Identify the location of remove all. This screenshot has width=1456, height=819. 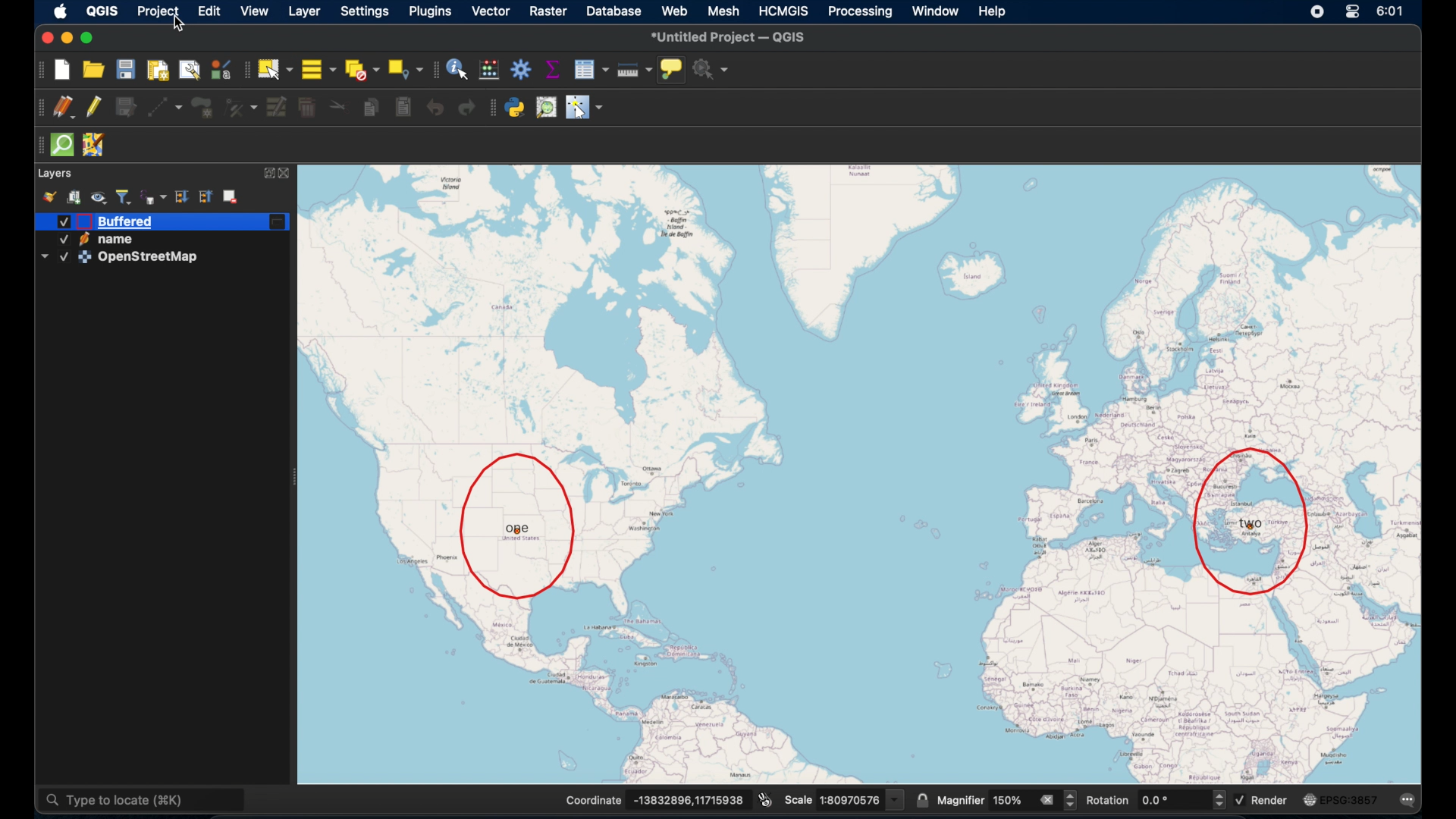
(1046, 799).